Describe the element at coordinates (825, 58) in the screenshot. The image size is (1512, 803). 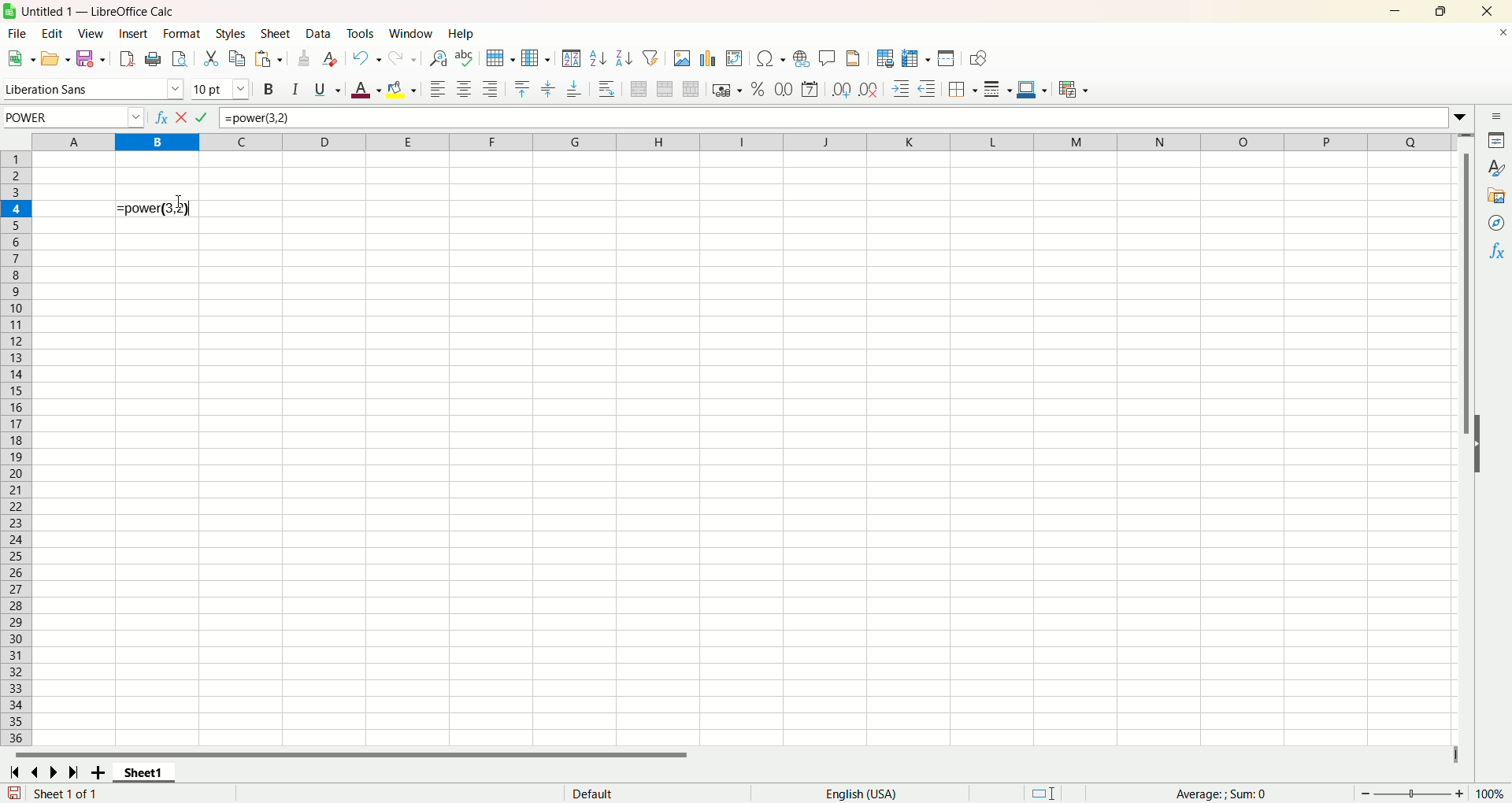
I see `insert comment` at that location.